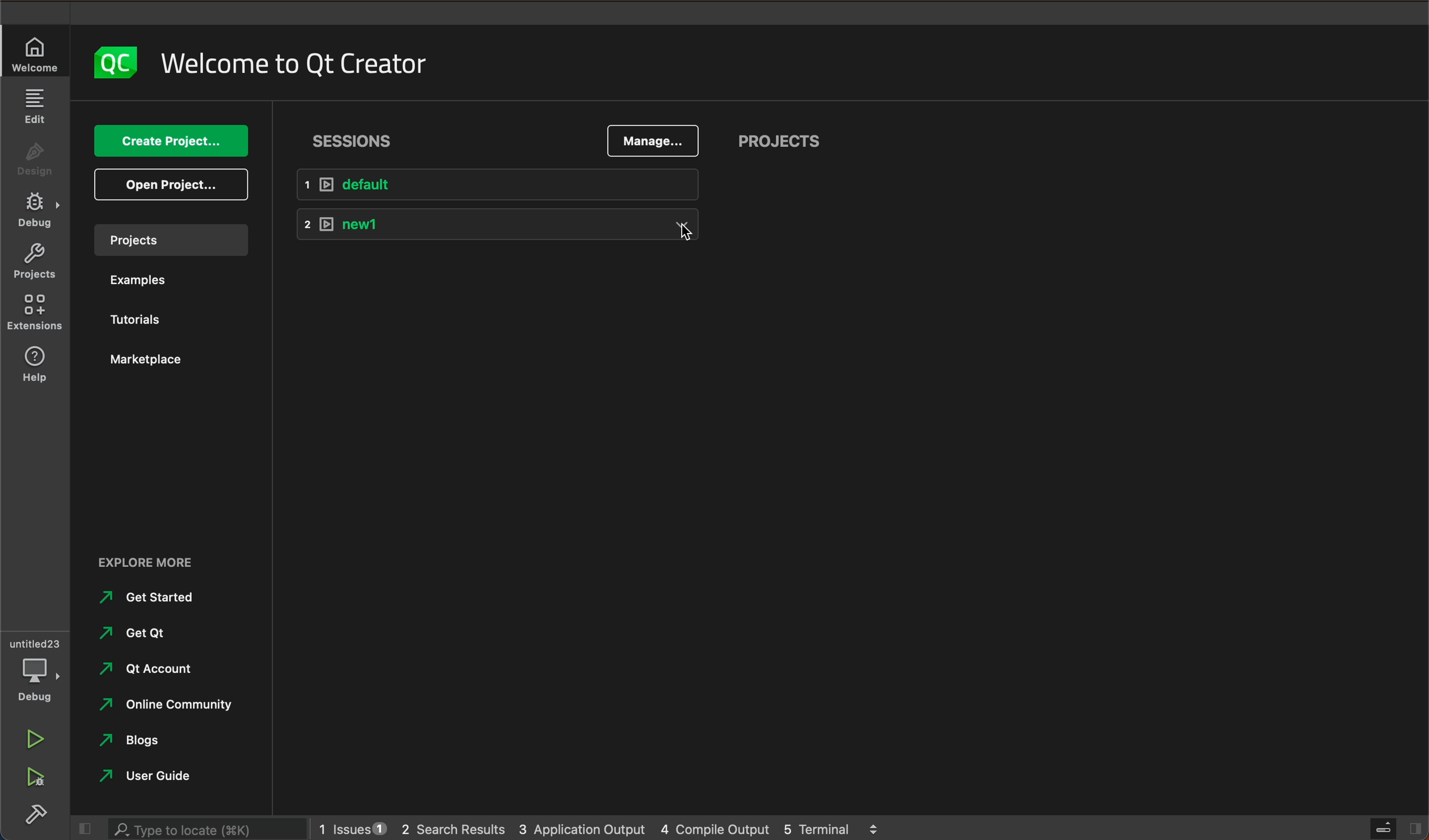 This screenshot has height=840, width=1429. I want to click on DEFAULT, so click(507, 185).